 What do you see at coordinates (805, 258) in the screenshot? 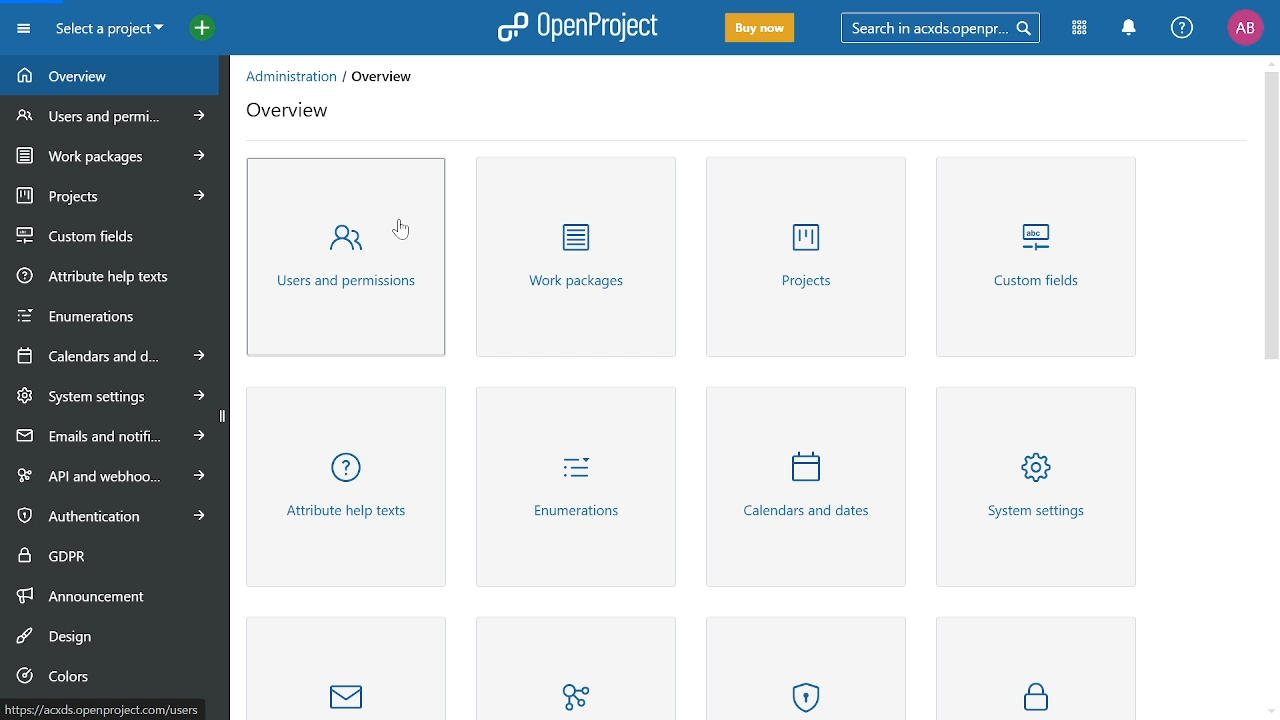
I see `Projects` at bounding box center [805, 258].